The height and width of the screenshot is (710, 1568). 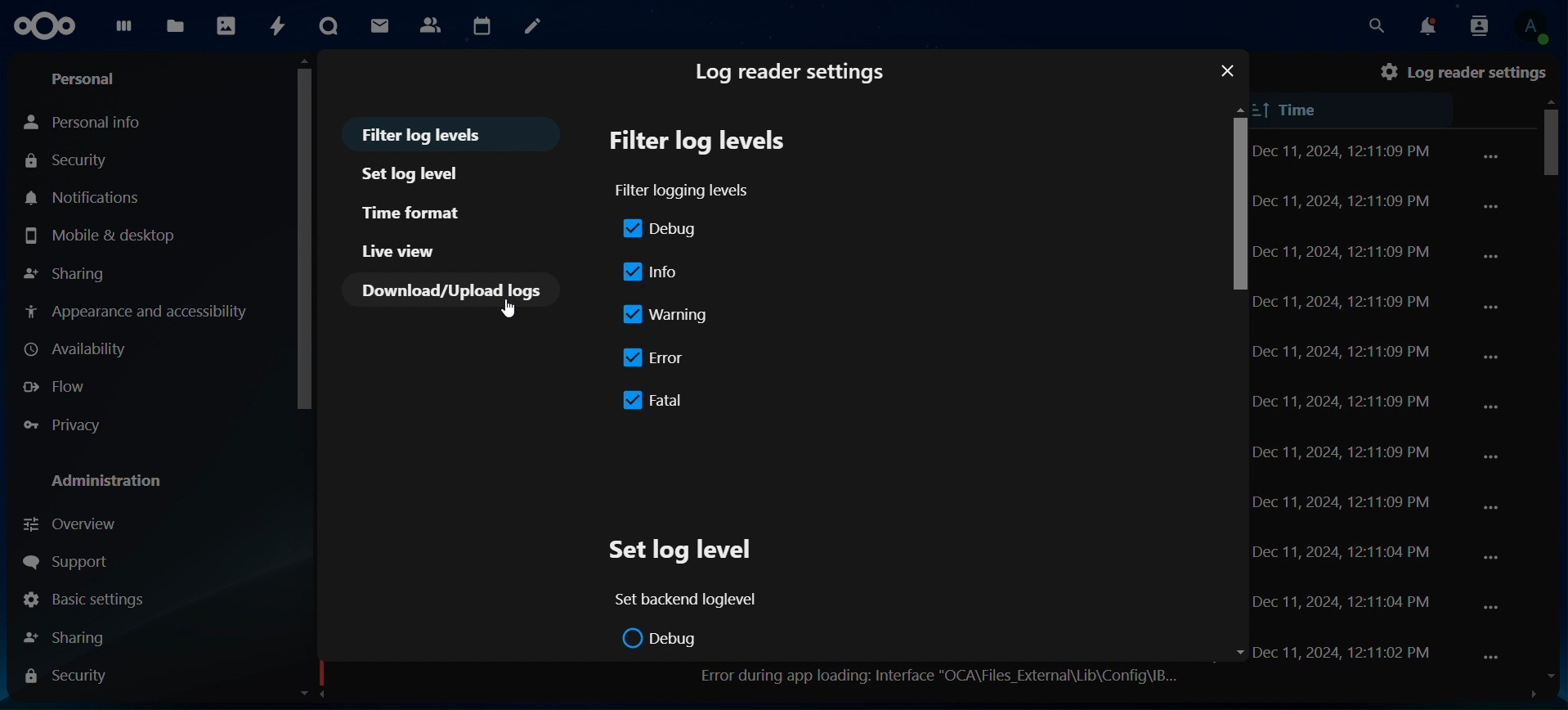 I want to click on search contacts, so click(x=1474, y=25).